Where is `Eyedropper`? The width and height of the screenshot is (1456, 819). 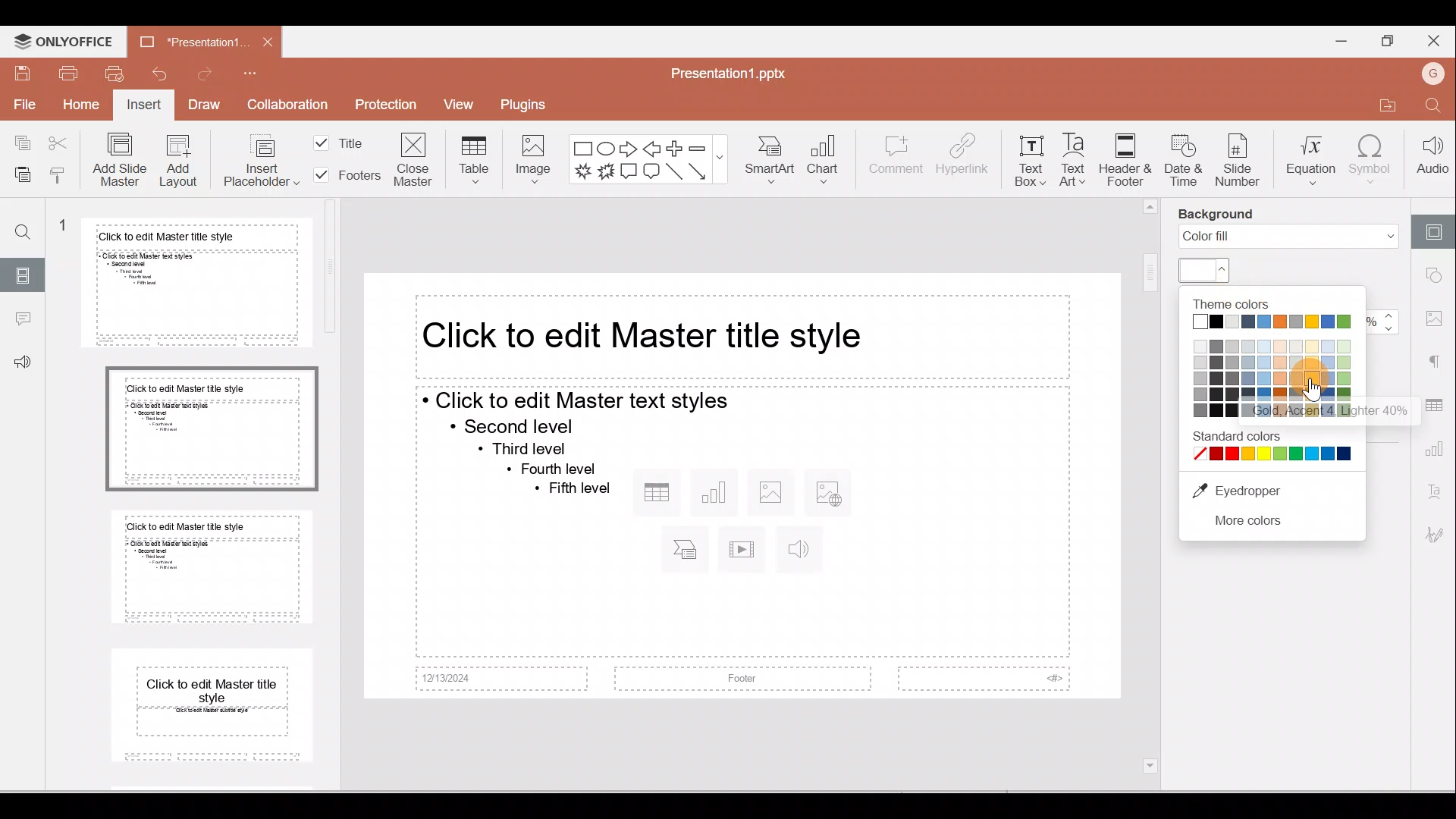 Eyedropper is located at coordinates (1251, 491).